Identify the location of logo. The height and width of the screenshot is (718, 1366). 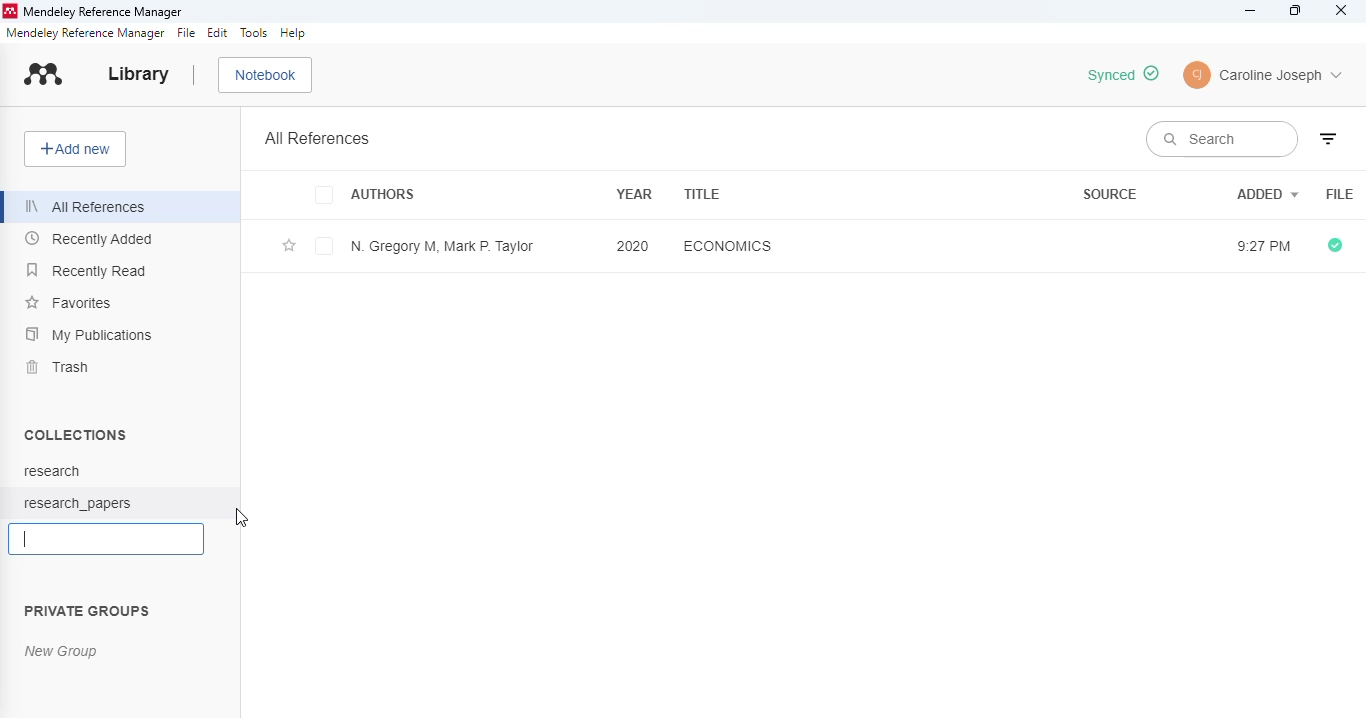
(9, 12).